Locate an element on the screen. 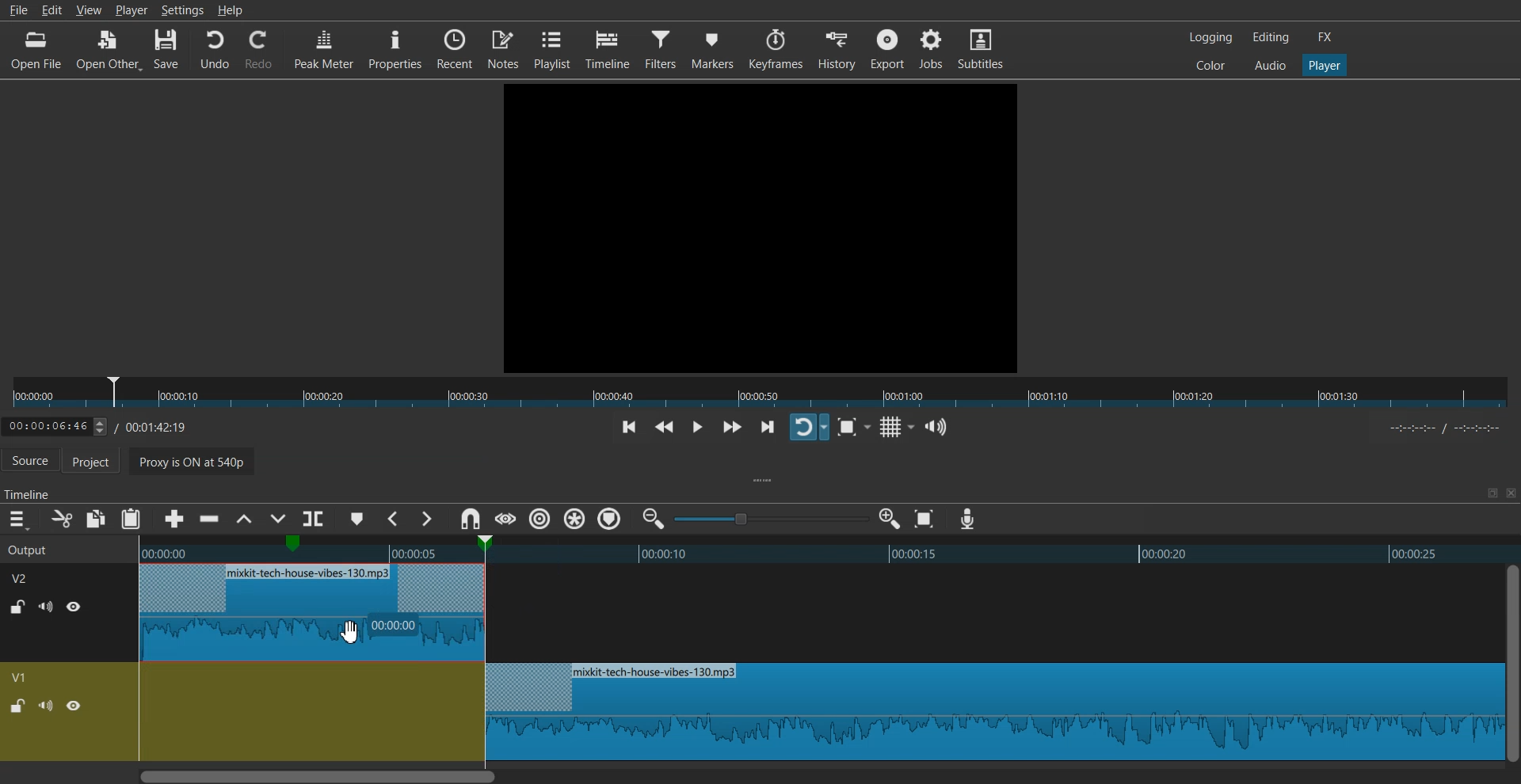  Open Other is located at coordinates (109, 51).